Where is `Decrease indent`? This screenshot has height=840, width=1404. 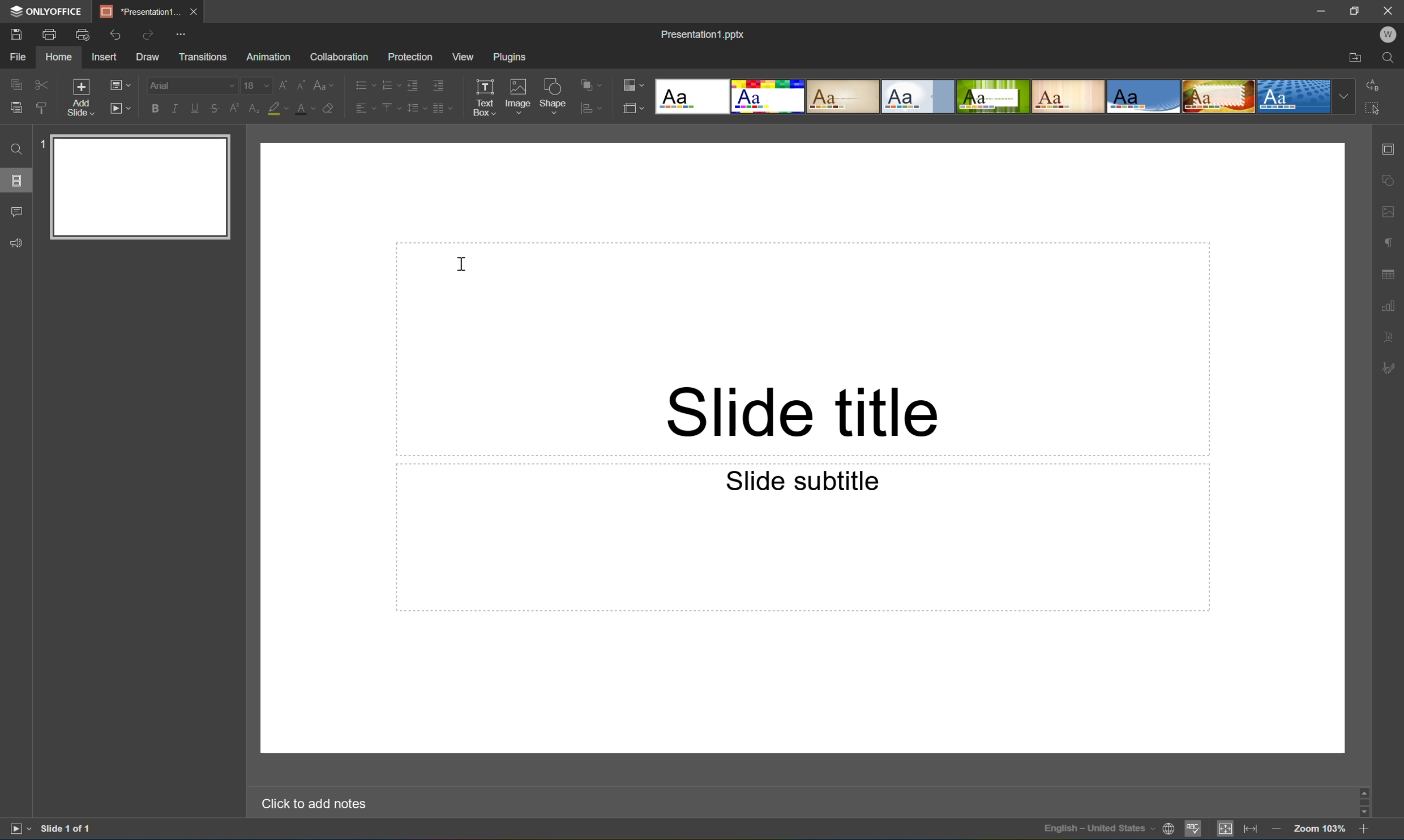
Decrease indent is located at coordinates (414, 86).